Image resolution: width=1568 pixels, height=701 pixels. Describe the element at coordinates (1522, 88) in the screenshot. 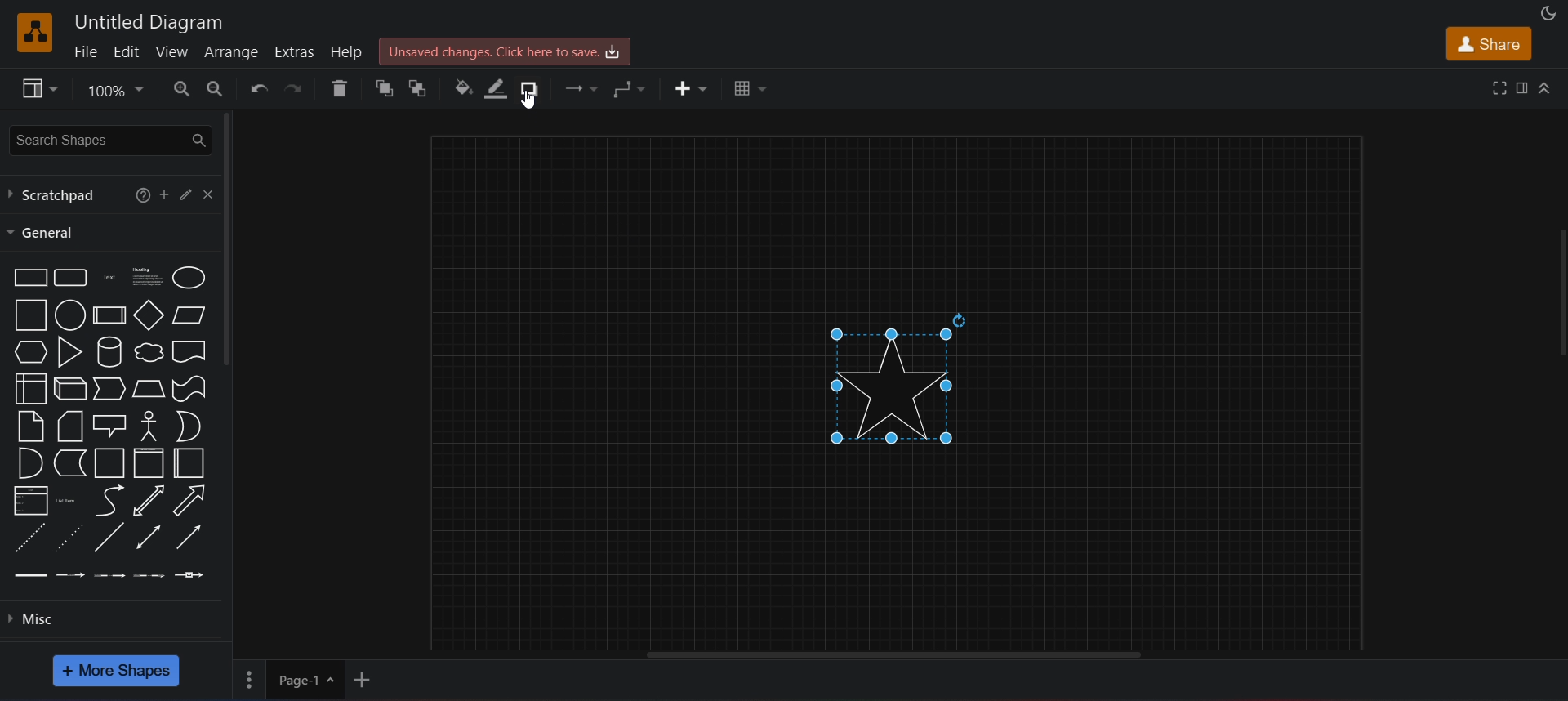

I see `format` at that location.